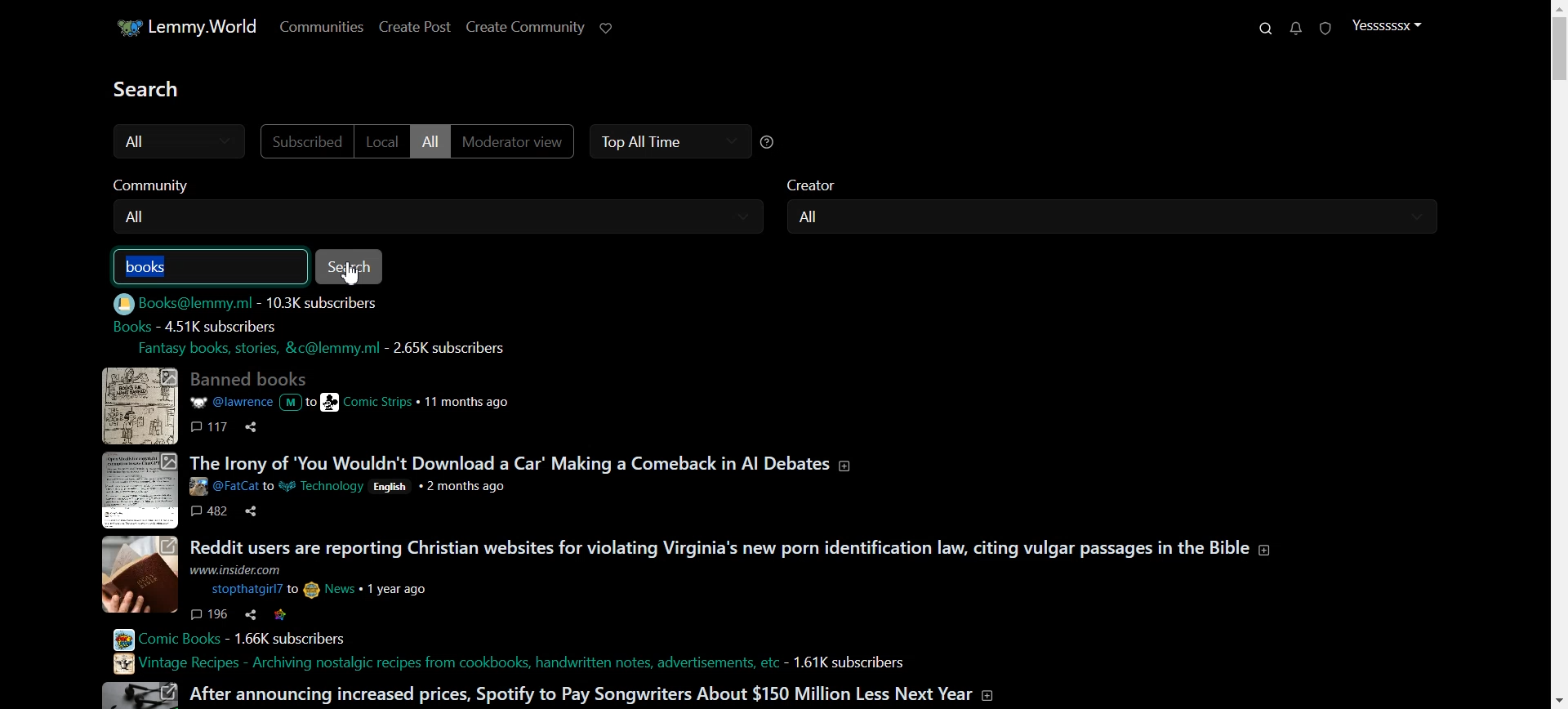 This screenshot has width=1568, height=709. What do you see at coordinates (186, 26) in the screenshot?
I see `Home Page` at bounding box center [186, 26].